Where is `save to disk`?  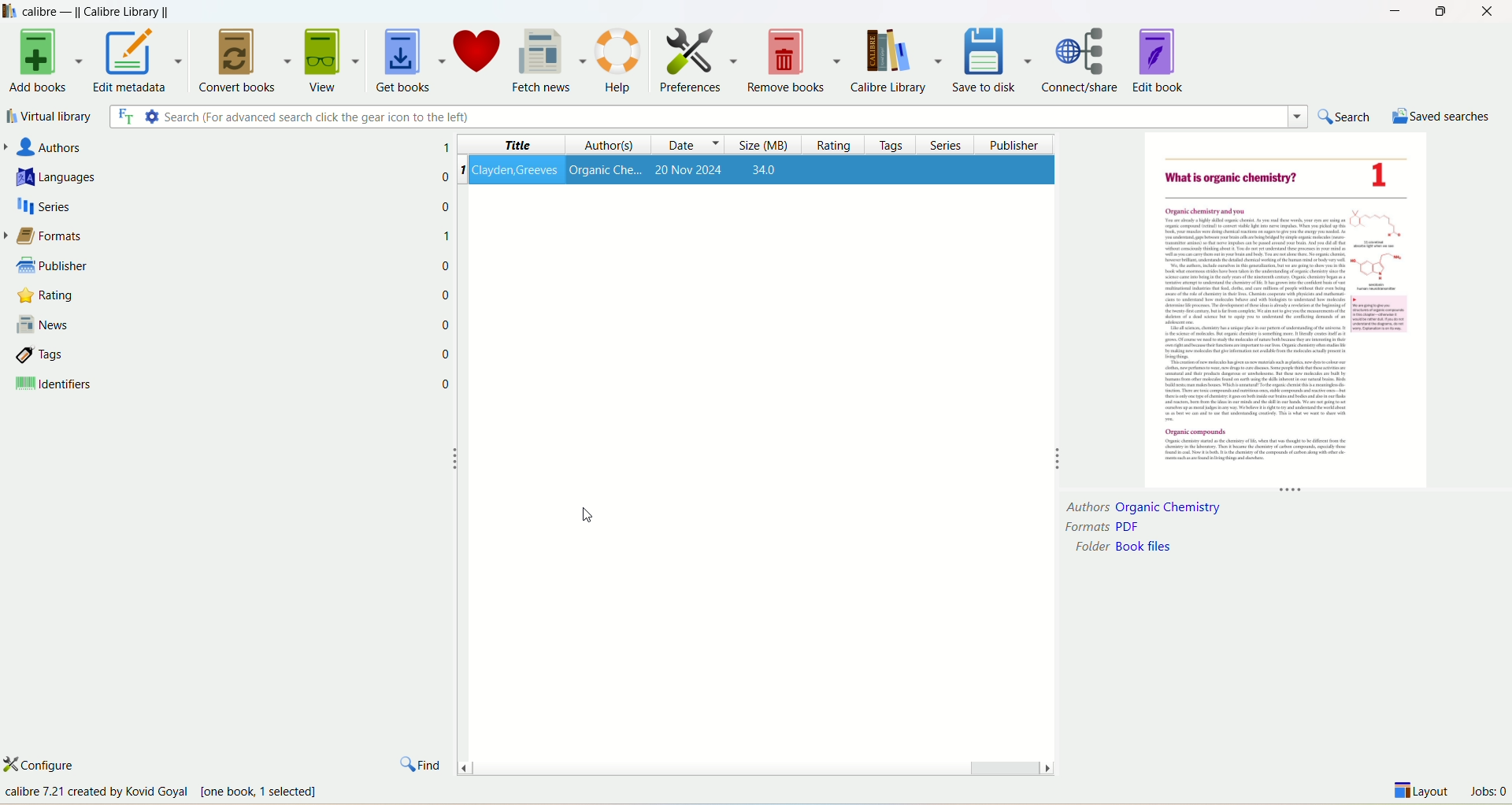 save to disk is located at coordinates (995, 58).